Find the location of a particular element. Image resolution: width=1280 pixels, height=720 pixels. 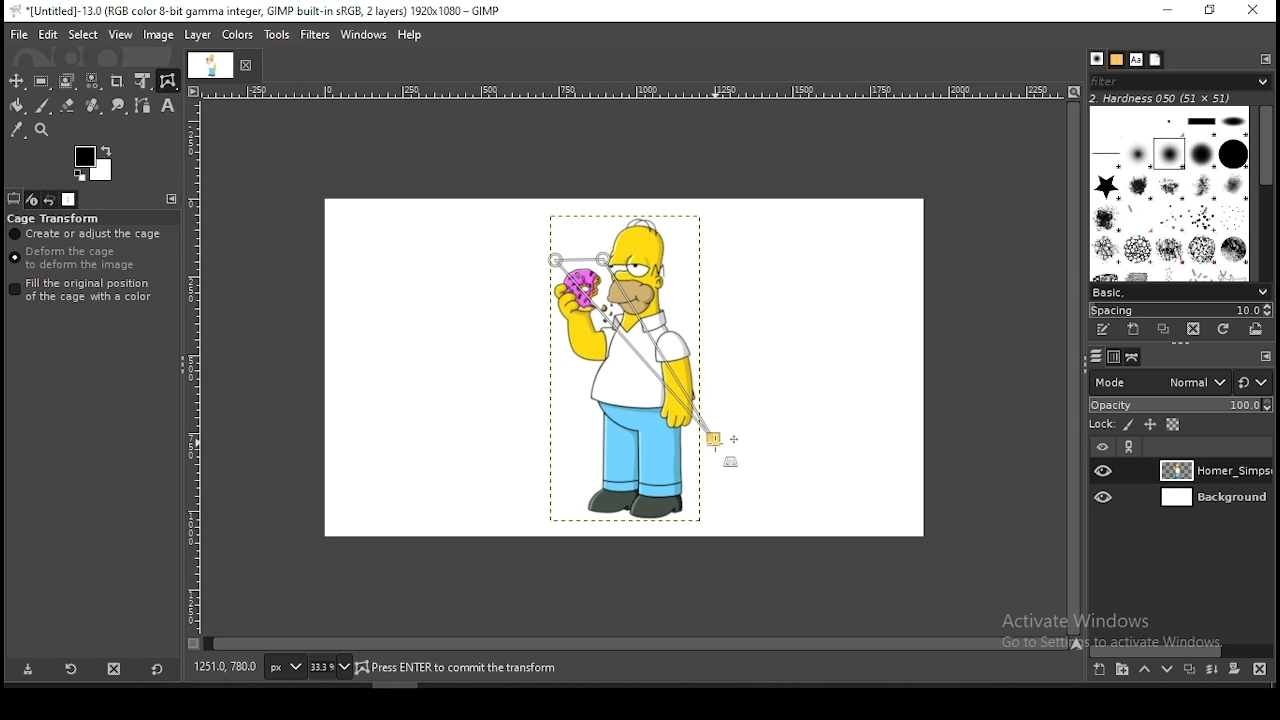

paintbrush tool is located at coordinates (42, 106).